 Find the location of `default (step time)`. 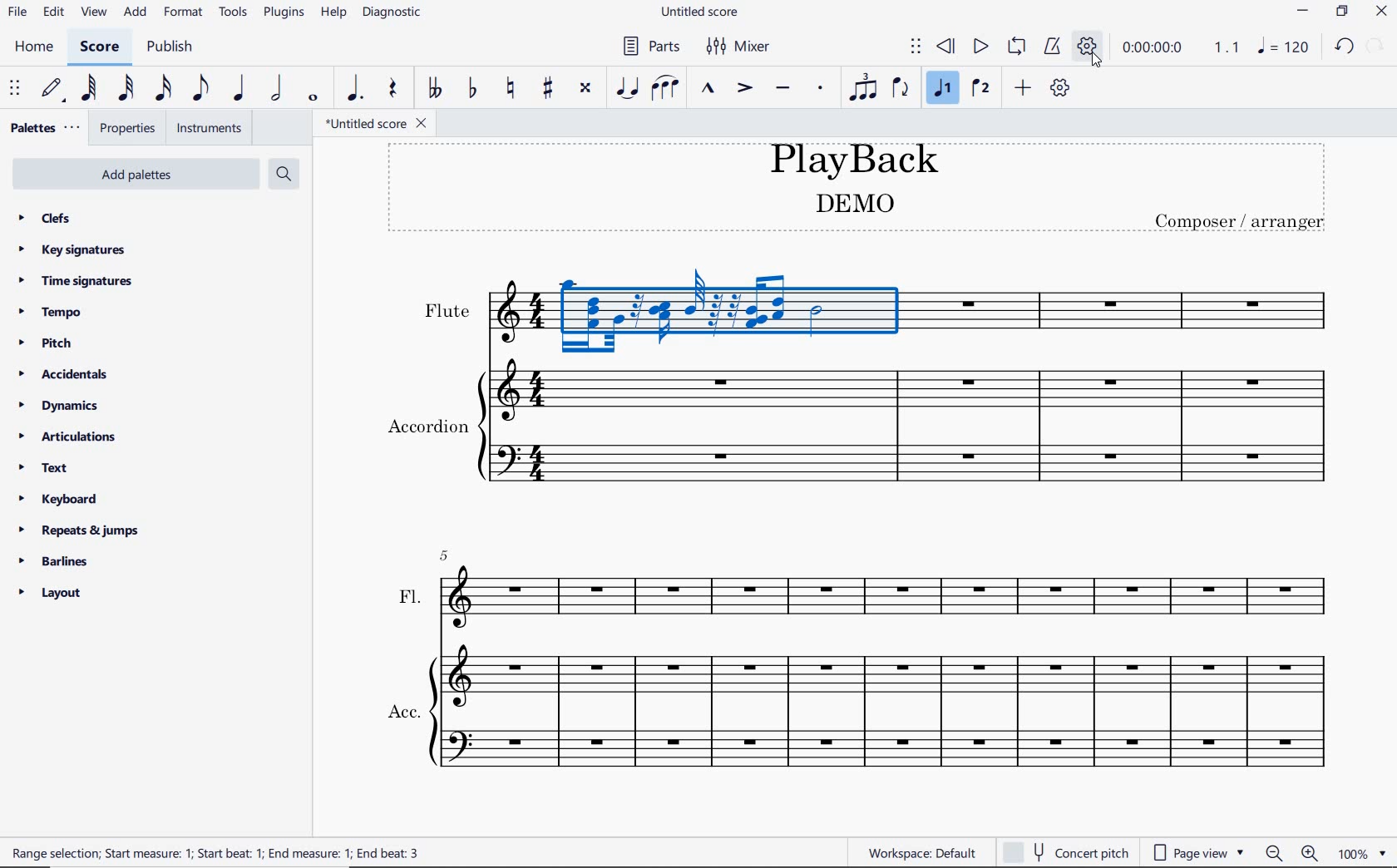

default (step time) is located at coordinates (55, 91).